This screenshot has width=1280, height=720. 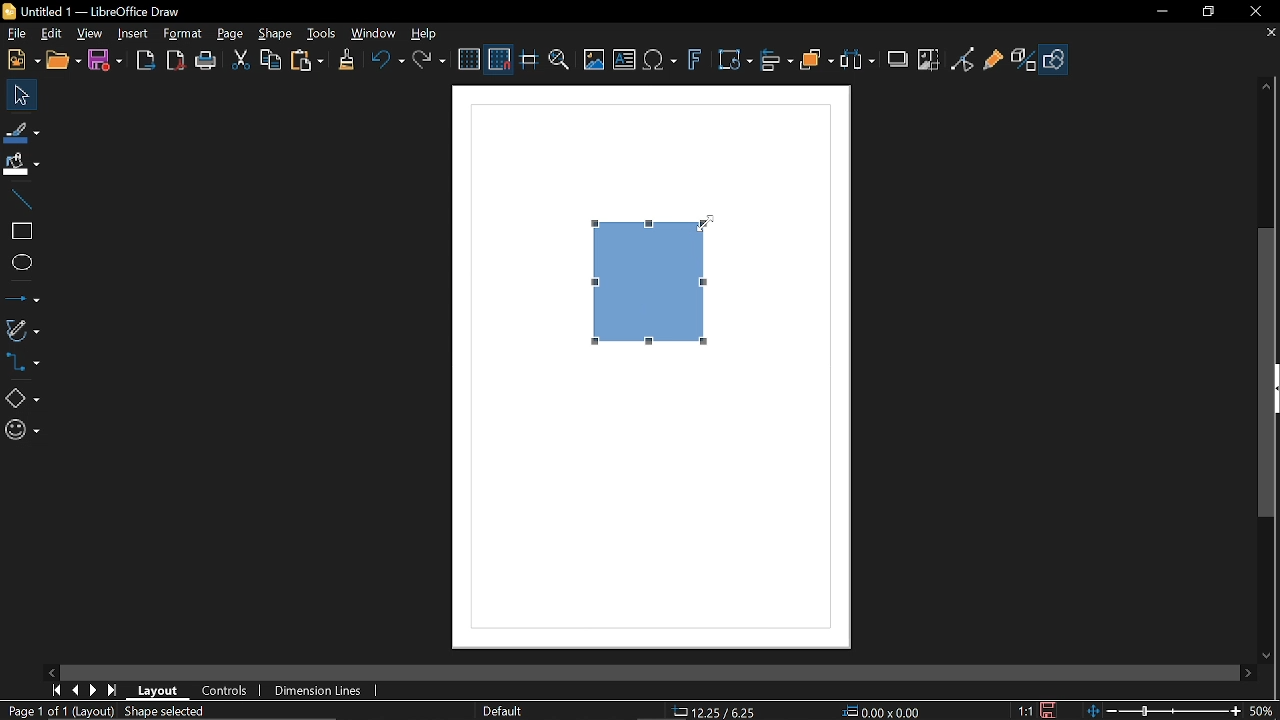 I want to click on Shape selection, so click(x=174, y=712).